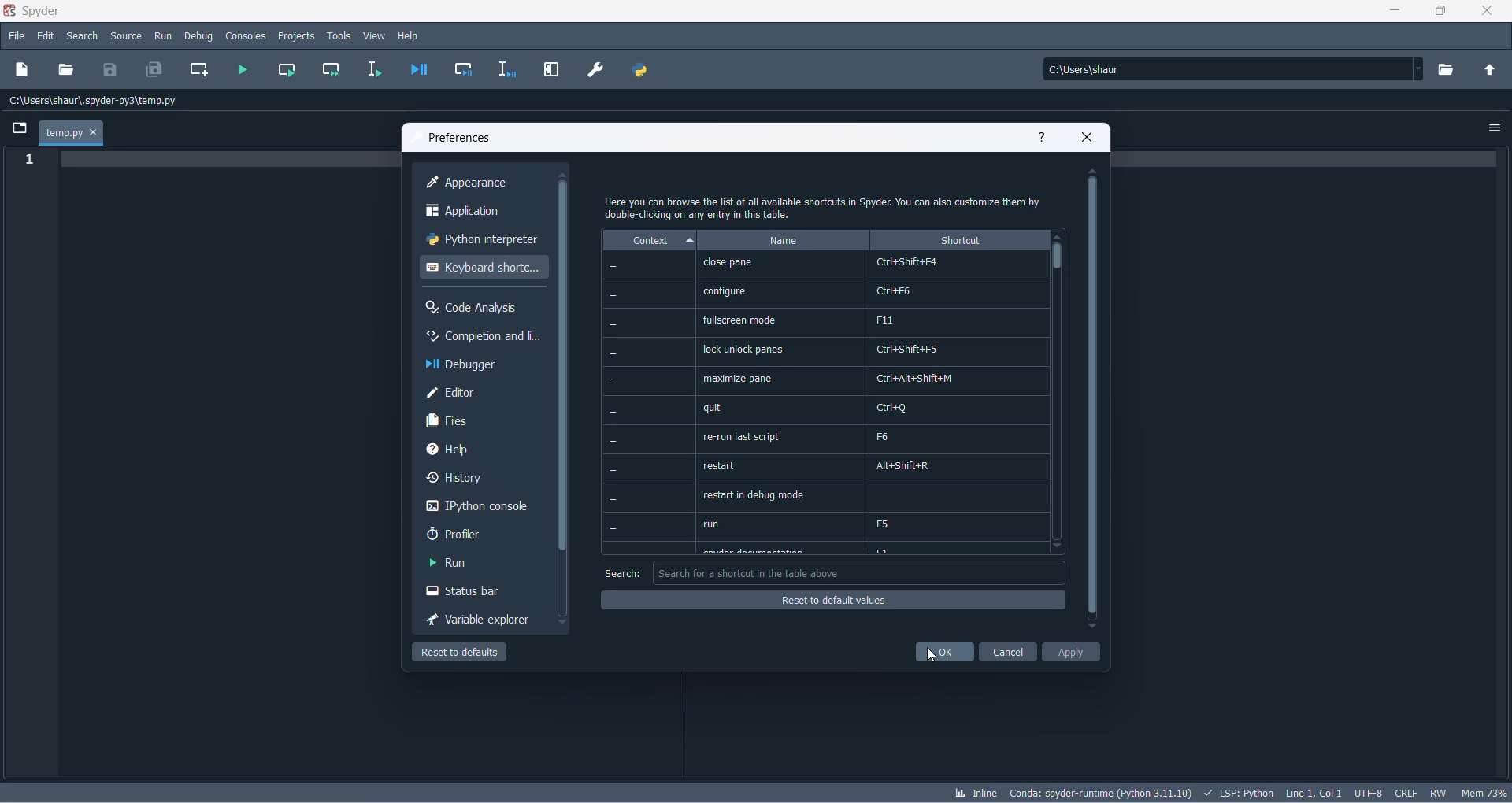 This screenshot has height=803, width=1512. I want to click on consoles, so click(246, 35).